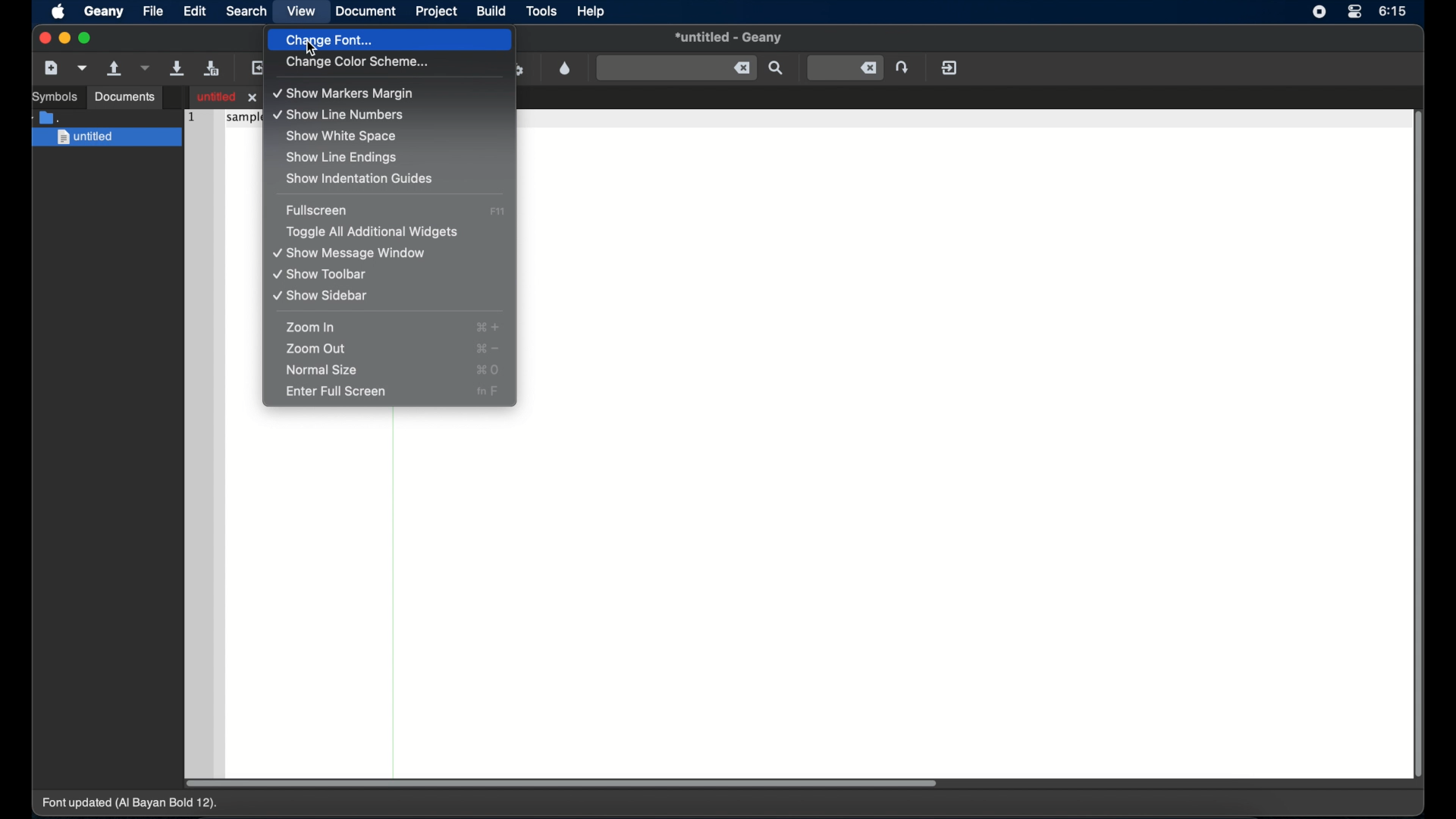 The height and width of the screenshot is (819, 1456). I want to click on help, so click(591, 11).